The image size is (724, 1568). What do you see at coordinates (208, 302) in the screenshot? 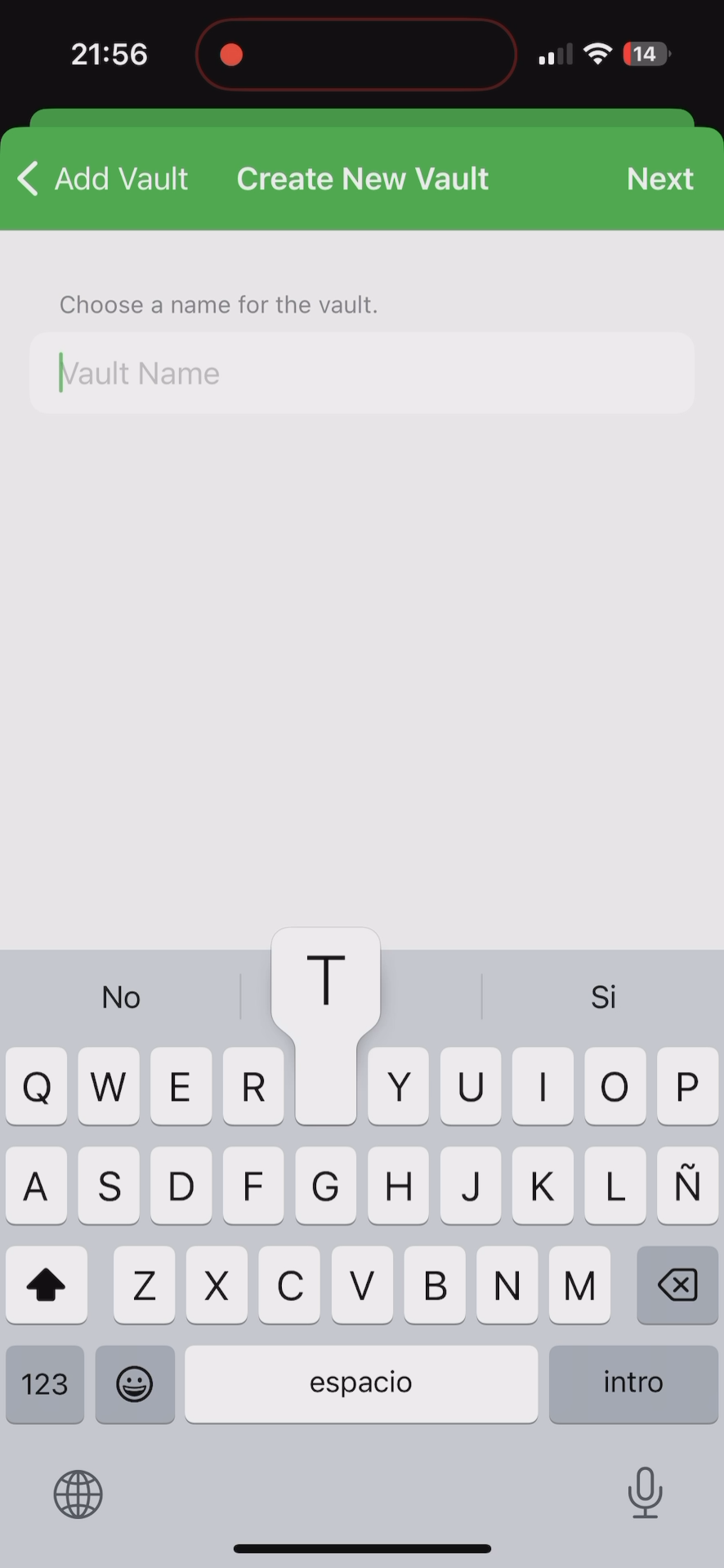
I see `choose a name for the vault` at bounding box center [208, 302].